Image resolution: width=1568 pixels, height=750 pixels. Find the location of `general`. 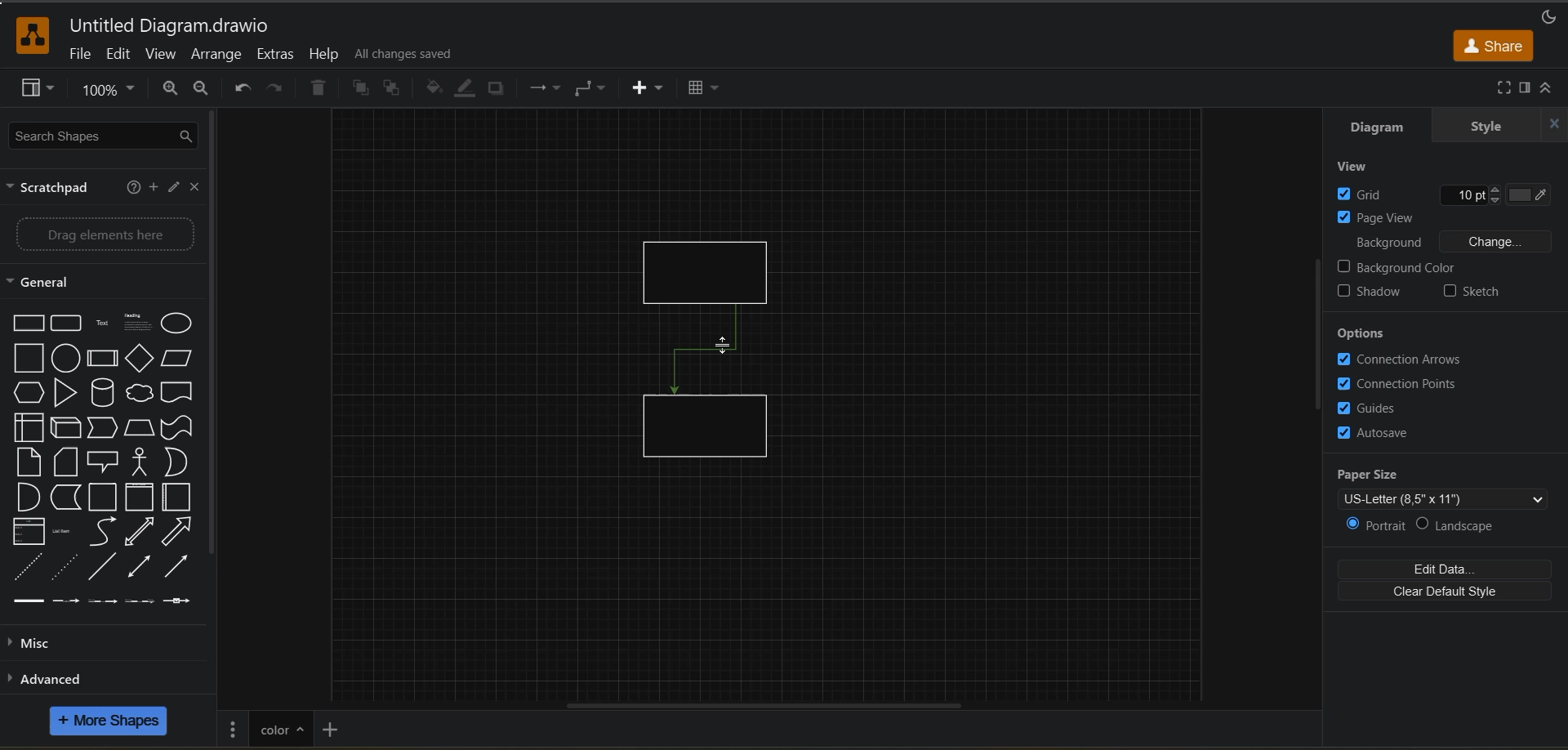

general is located at coordinates (53, 283).